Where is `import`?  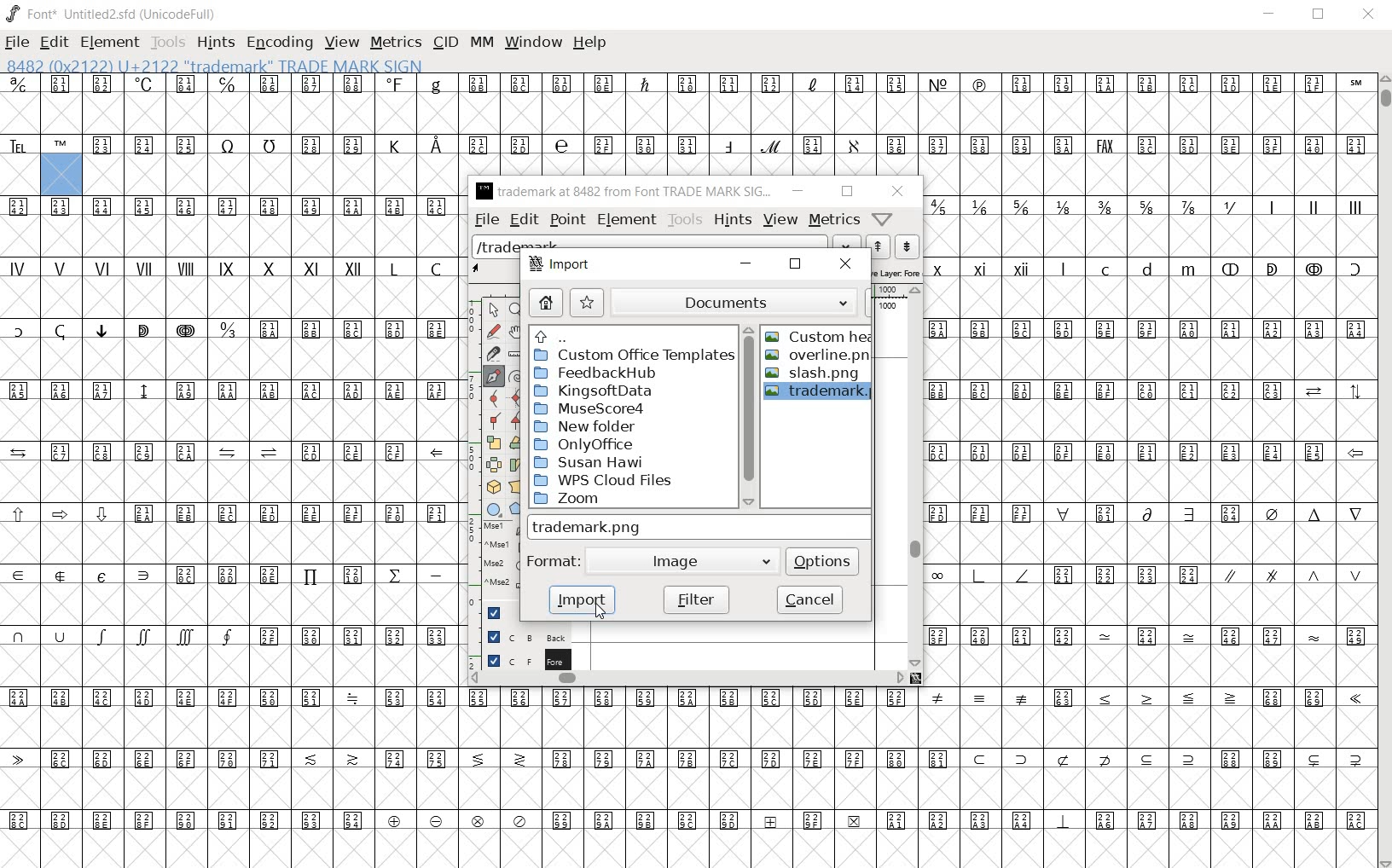 import is located at coordinates (561, 263).